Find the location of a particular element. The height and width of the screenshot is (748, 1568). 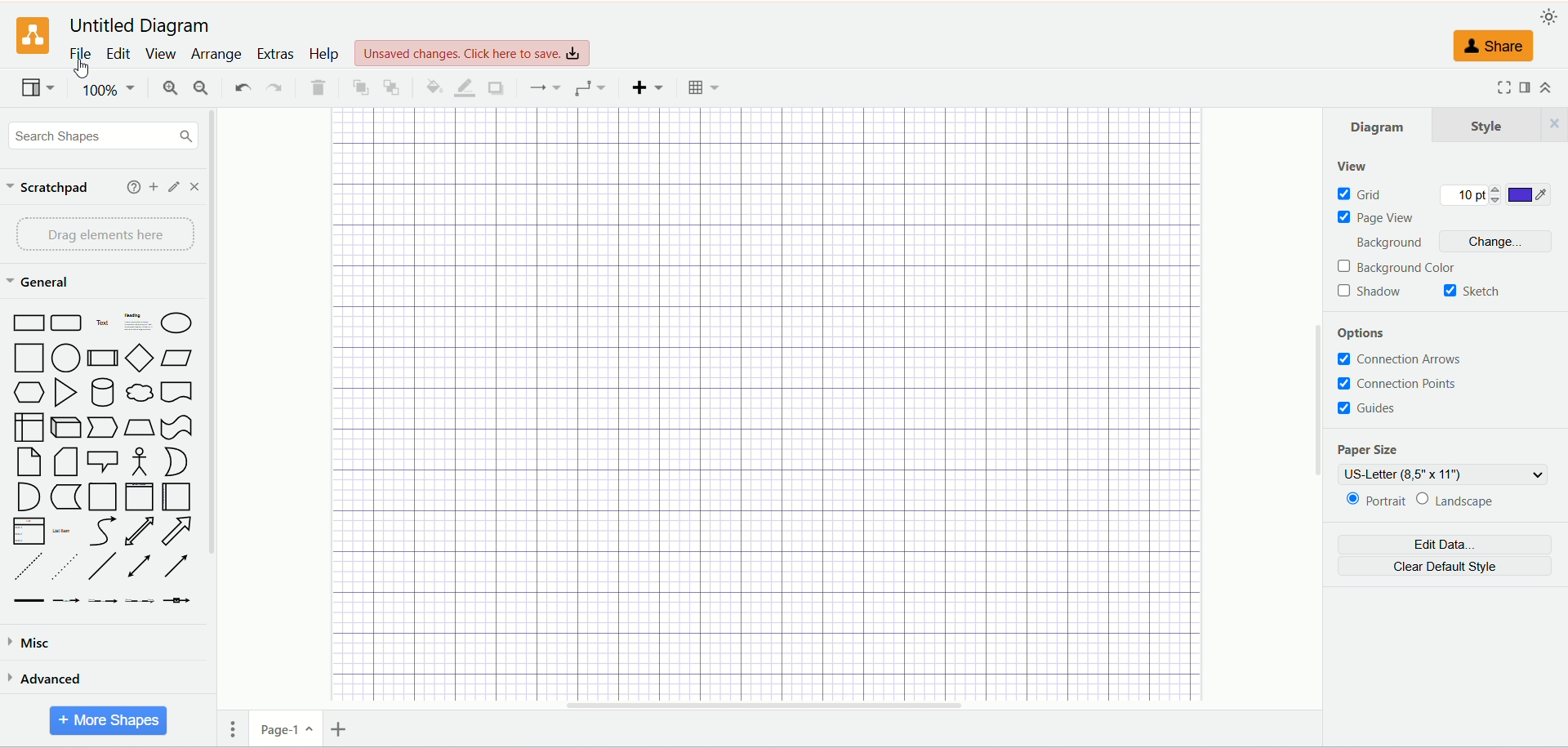

help is located at coordinates (129, 187).